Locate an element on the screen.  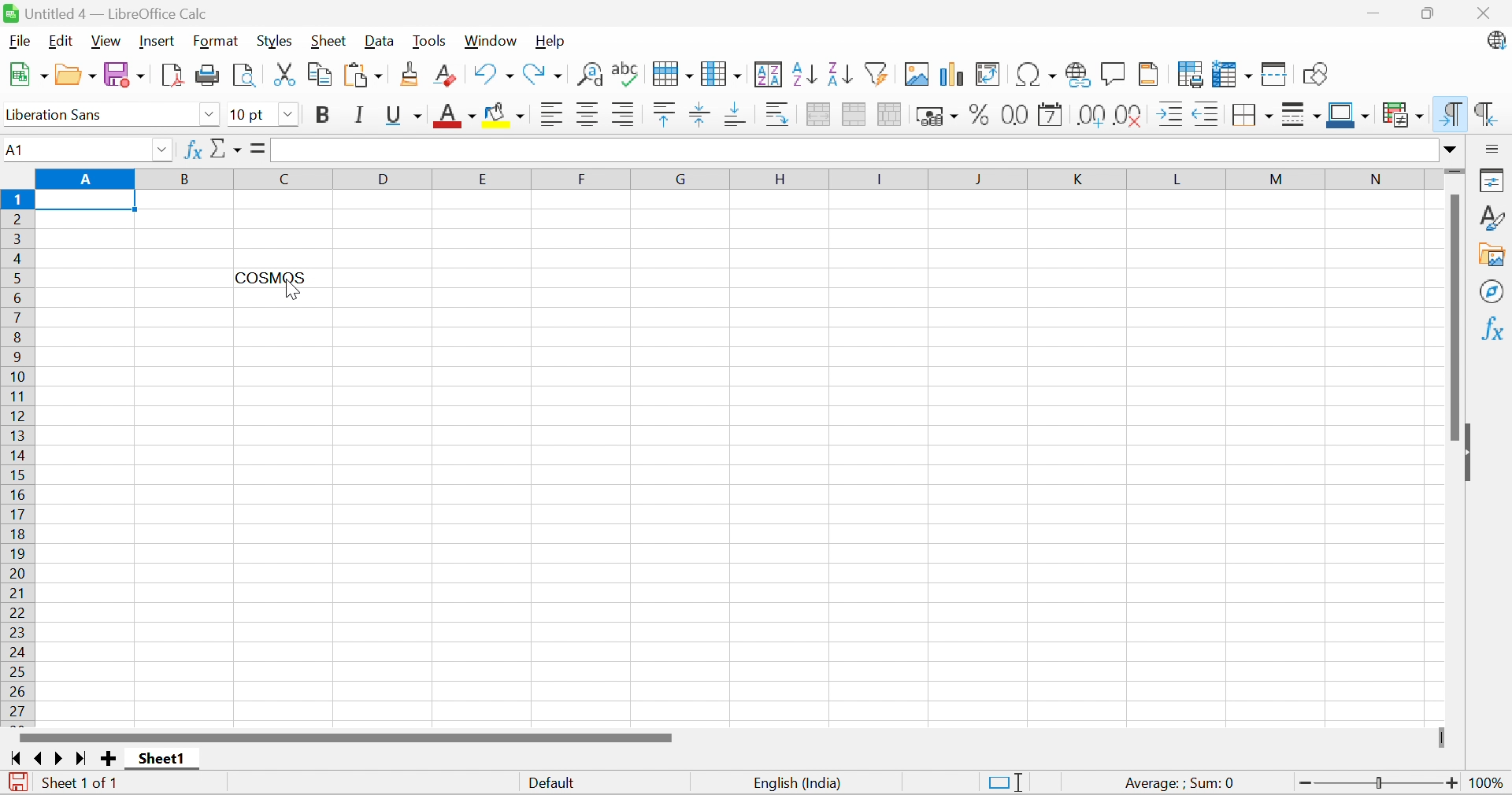
Hide is located at coordinates (1473, 452).